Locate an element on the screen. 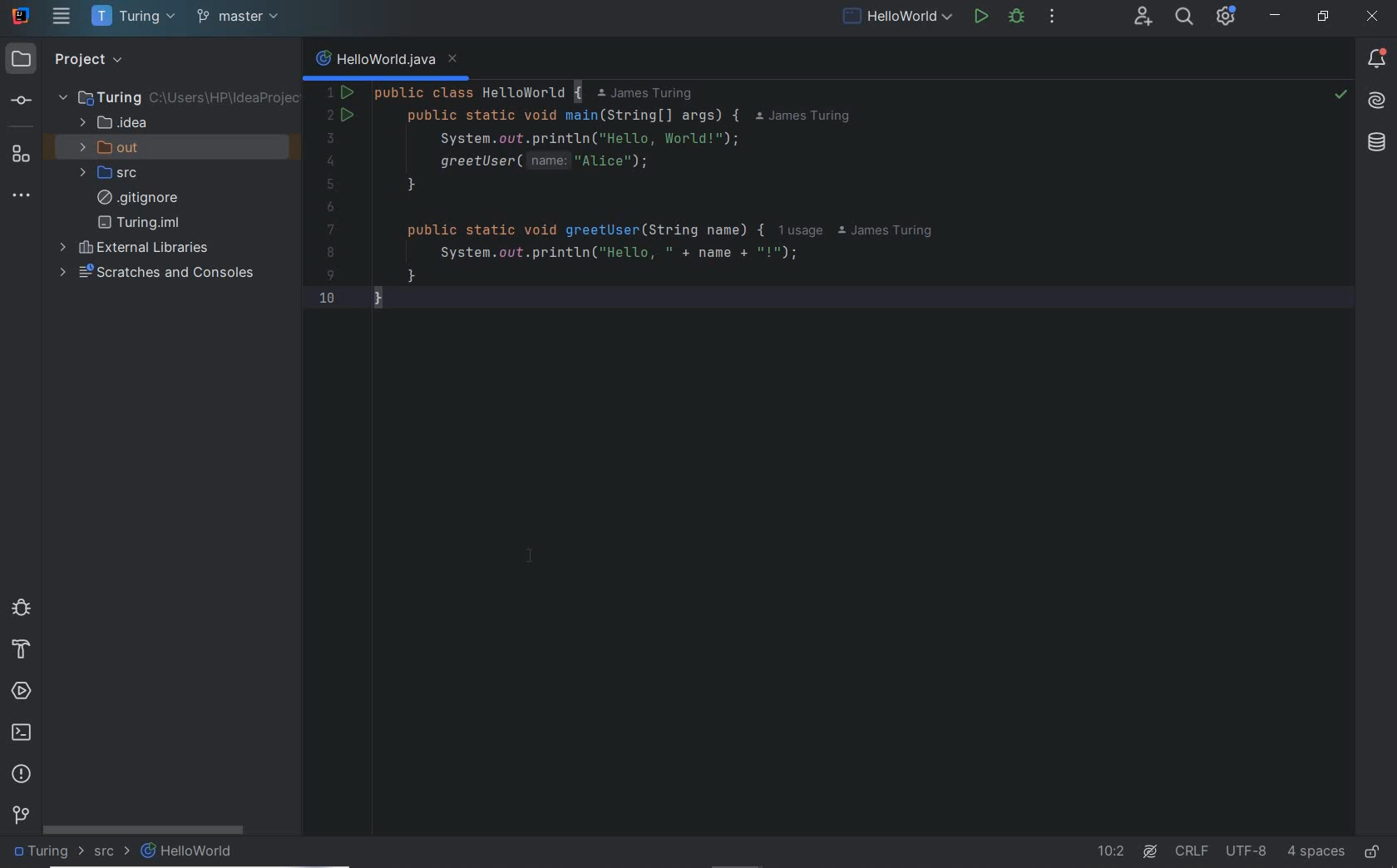 The image size is (1397, 868). NOTIFICATIONS is located at coordinates (1377, 60).